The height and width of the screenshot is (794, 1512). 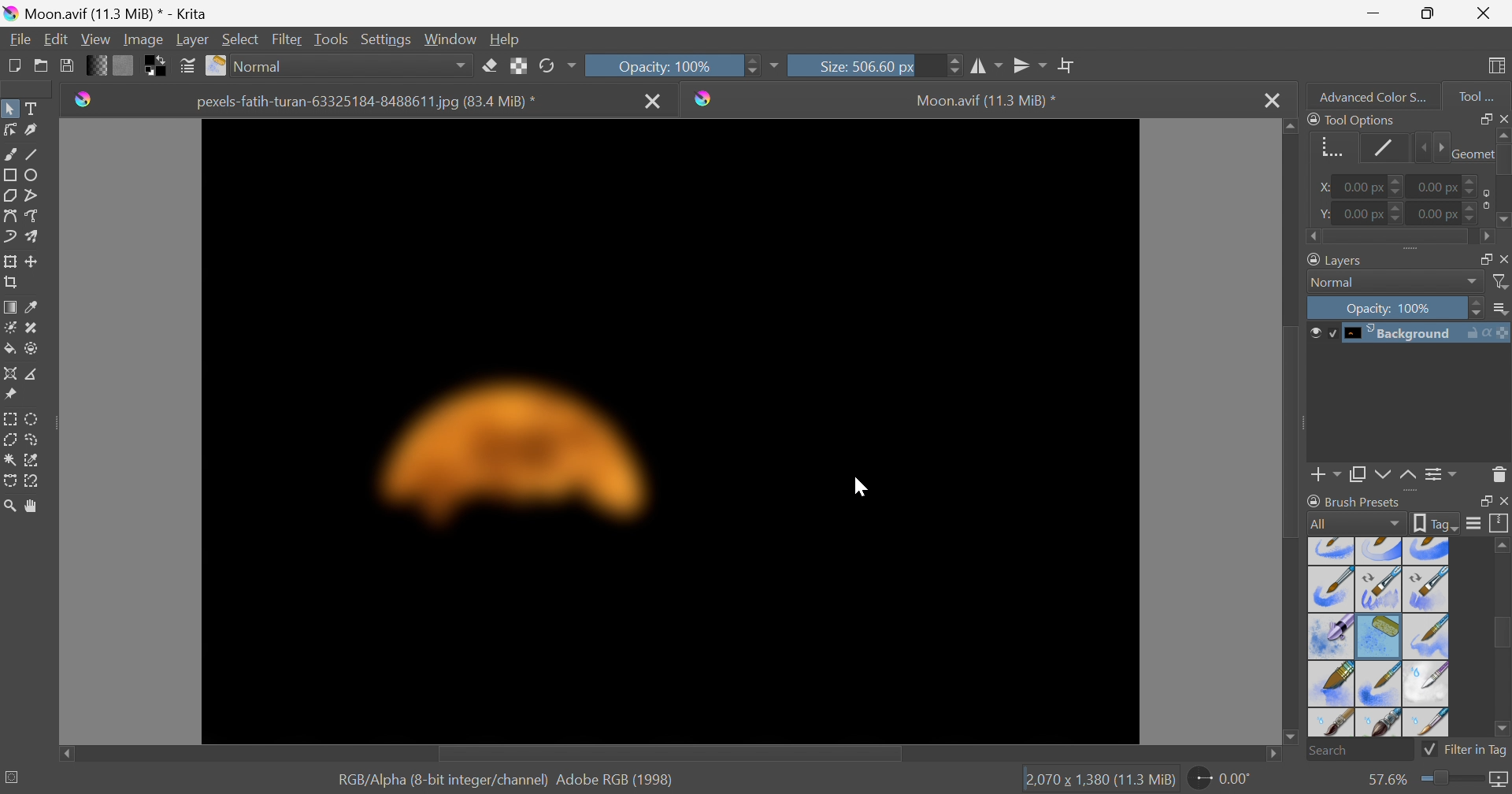 I want to click on Moon.avif (11.3 MiB - Krita), so click(x=101, y=12).